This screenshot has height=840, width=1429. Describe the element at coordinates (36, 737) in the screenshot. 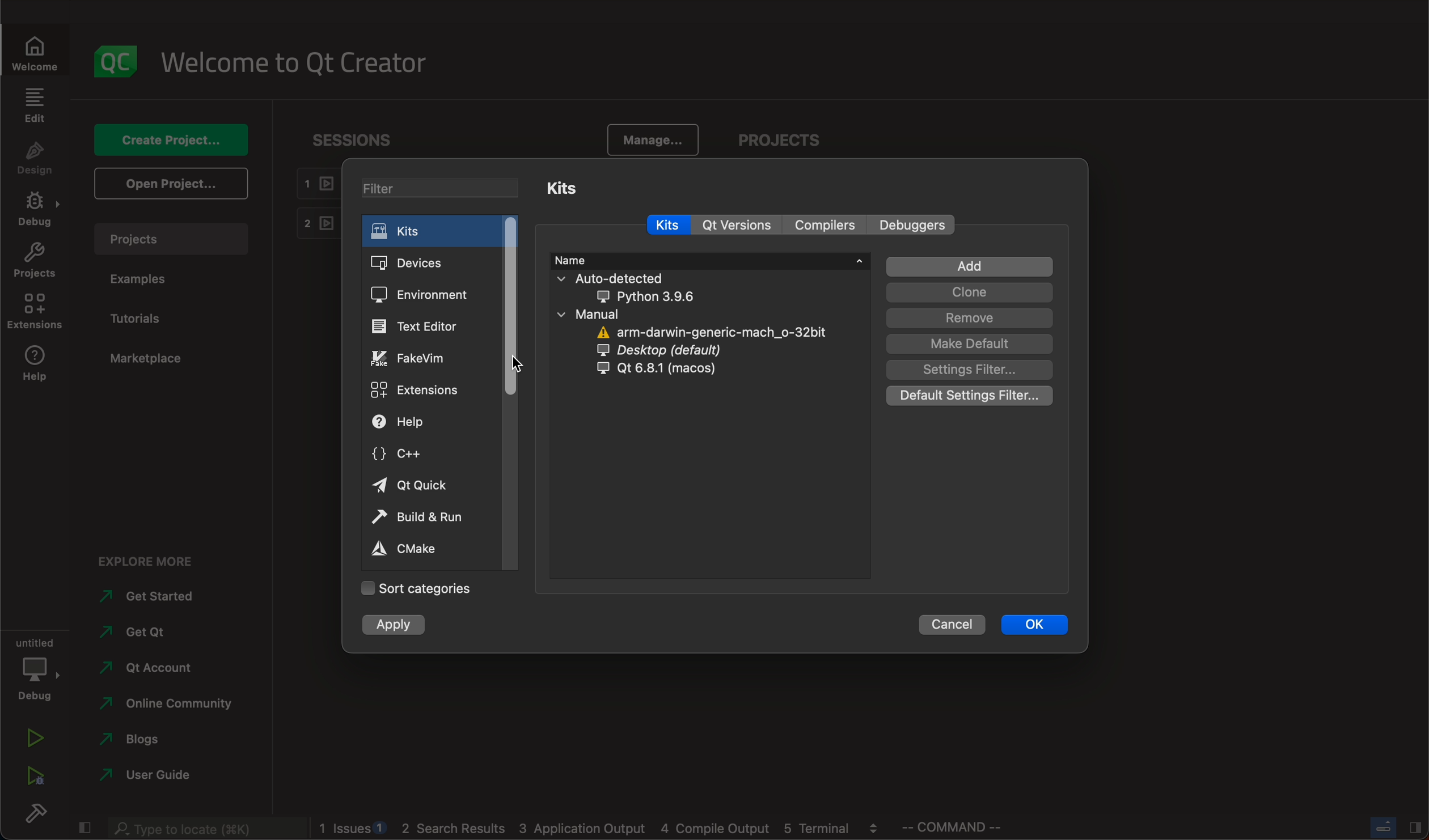

I see `run` at that location.